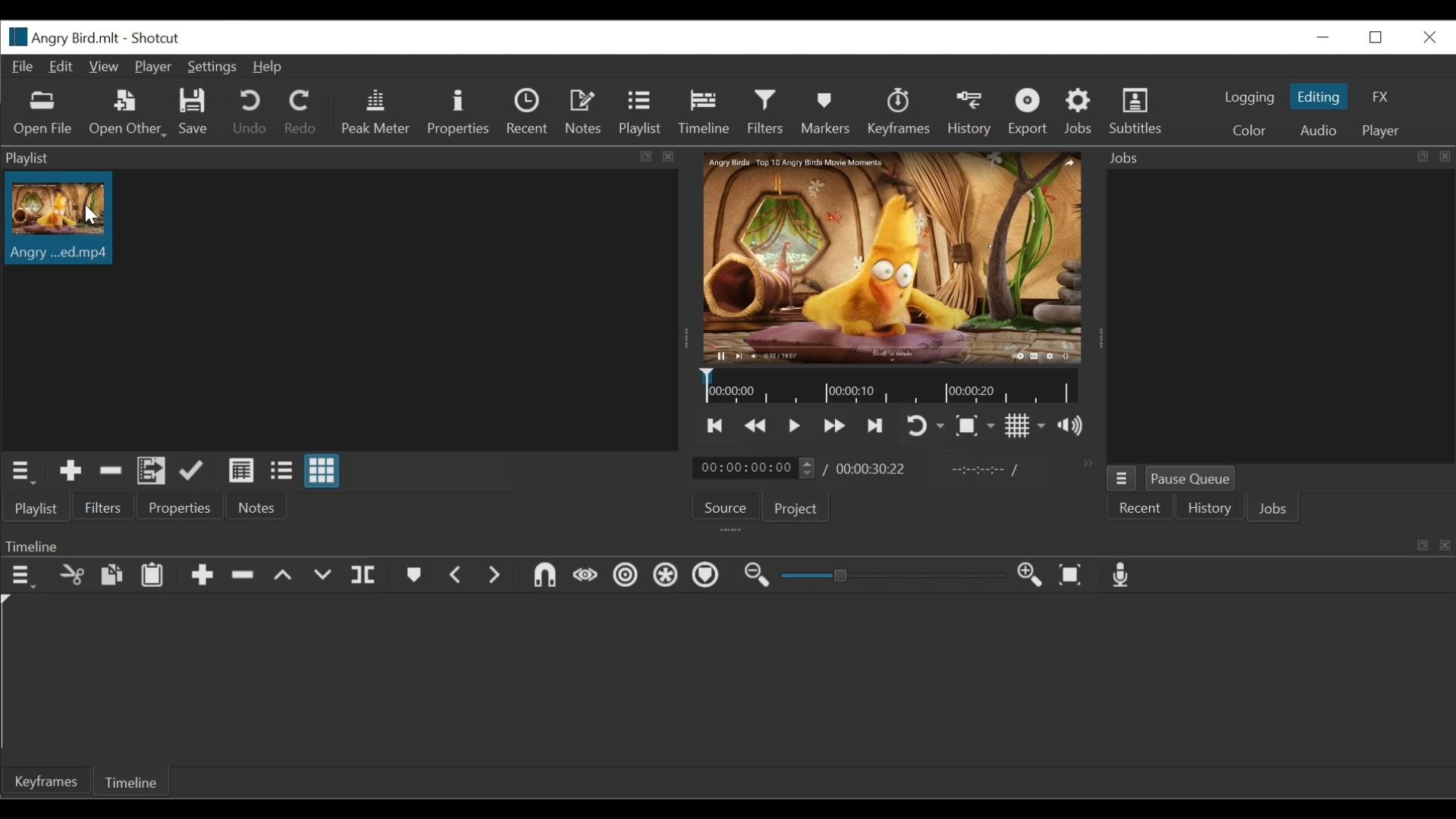 Image resolution: width=1456 pixels, height=819 pixels. What do you see at coordinates (823, 111) in the screenshot?
I see `Markers` at bounding box center [823, 111].